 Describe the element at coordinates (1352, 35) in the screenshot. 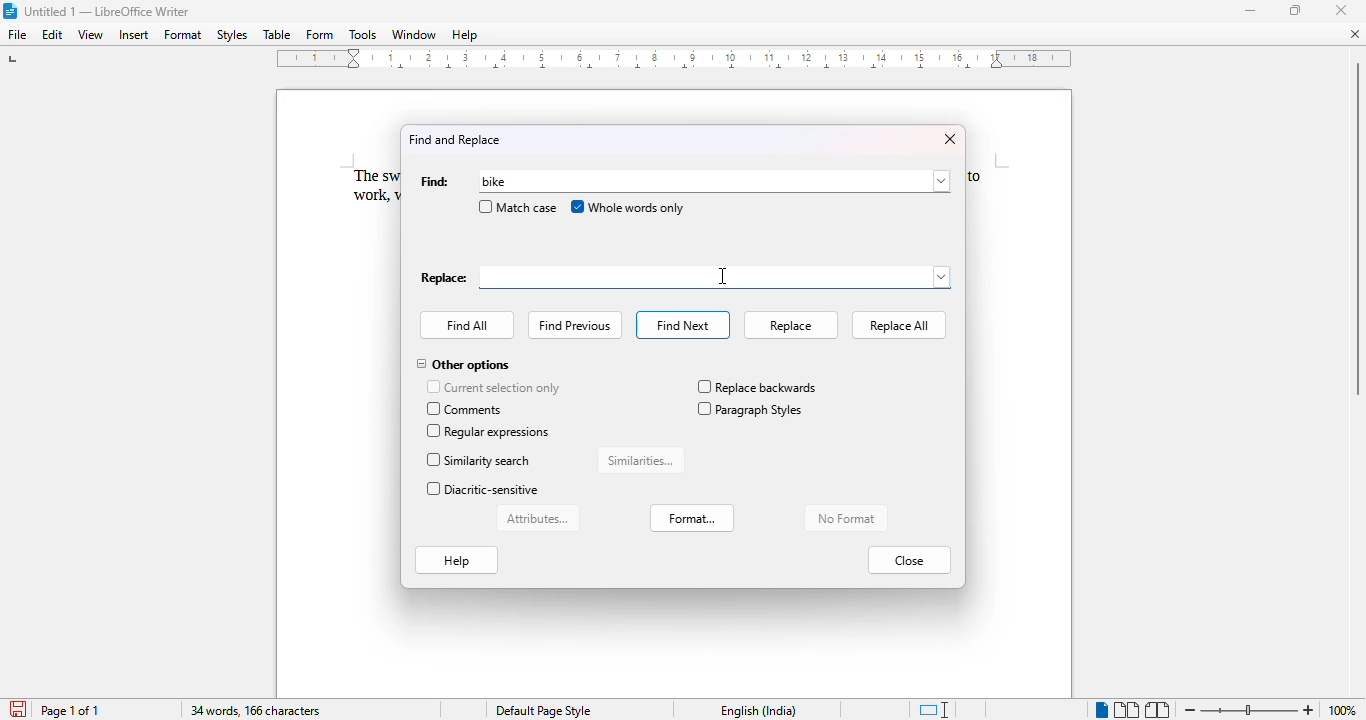

I see `close` at that location.